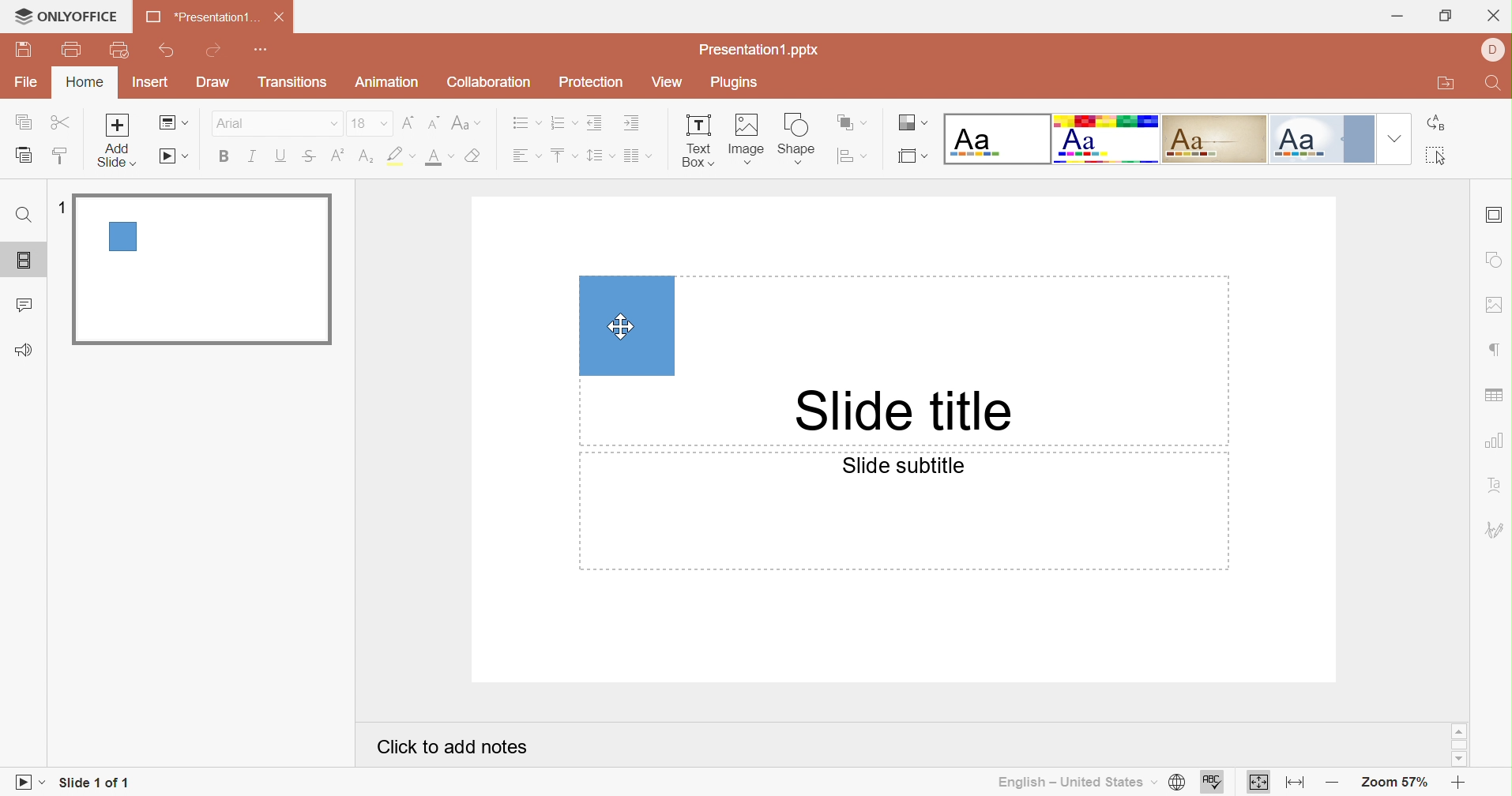  What do you see at coordinates (1396, 784) in the screenshot?
I see `Zoom 57%` at bounding box center [1396, 784].